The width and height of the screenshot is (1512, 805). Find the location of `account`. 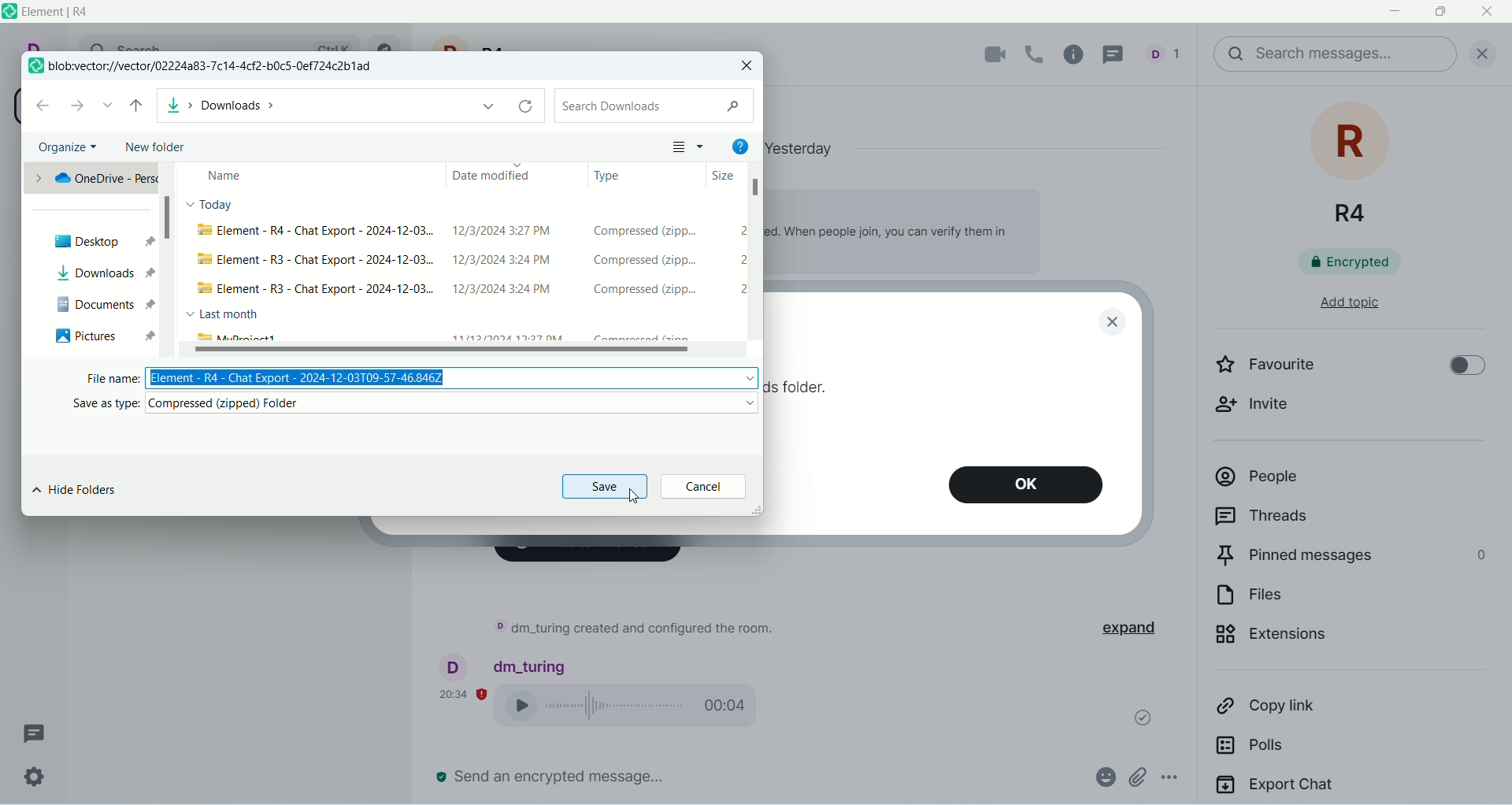

account is located at coordinates (505, 665).